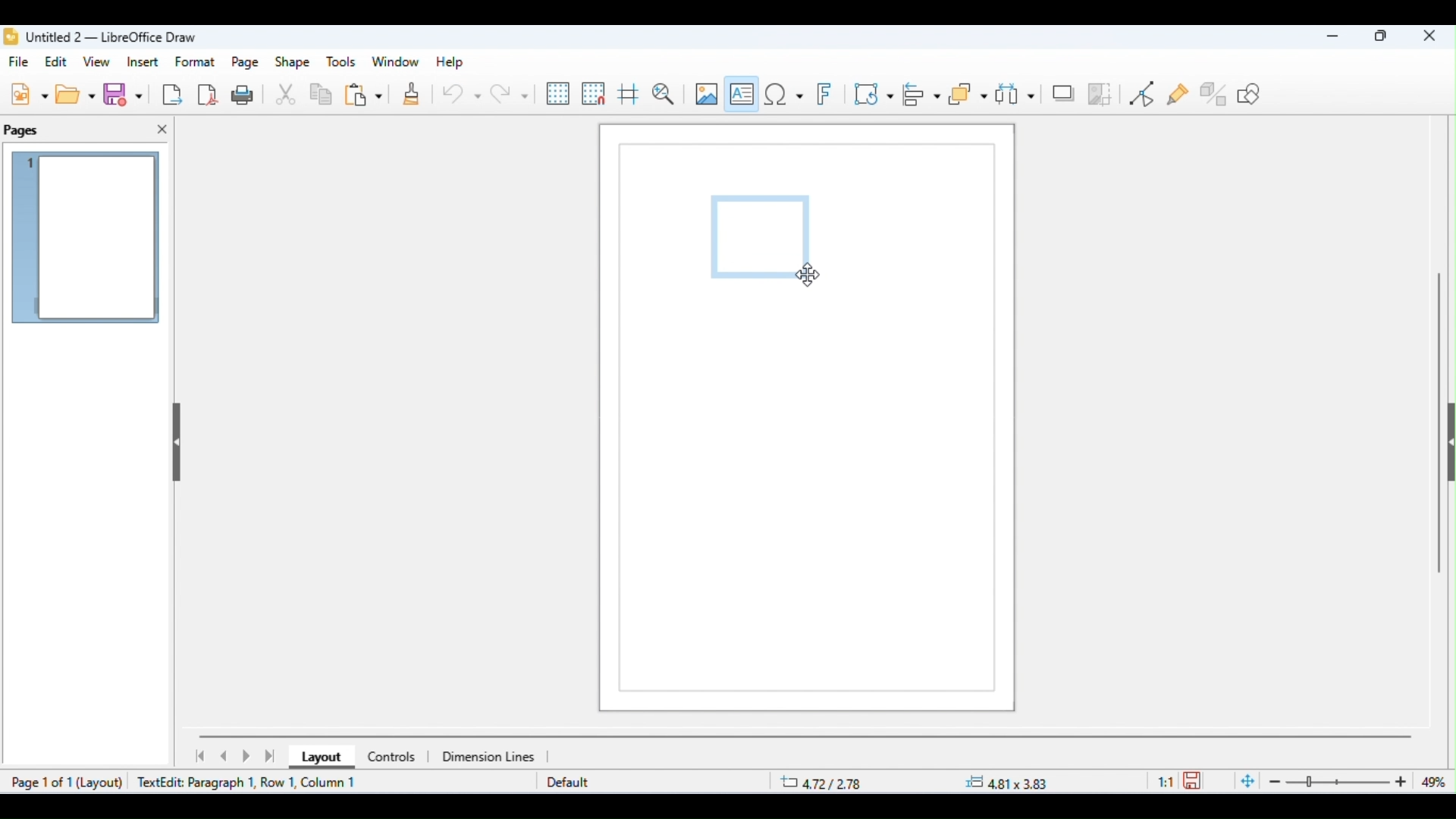 This screenshot has width=1456, height=819. I want to click on help, so click(447, 62).